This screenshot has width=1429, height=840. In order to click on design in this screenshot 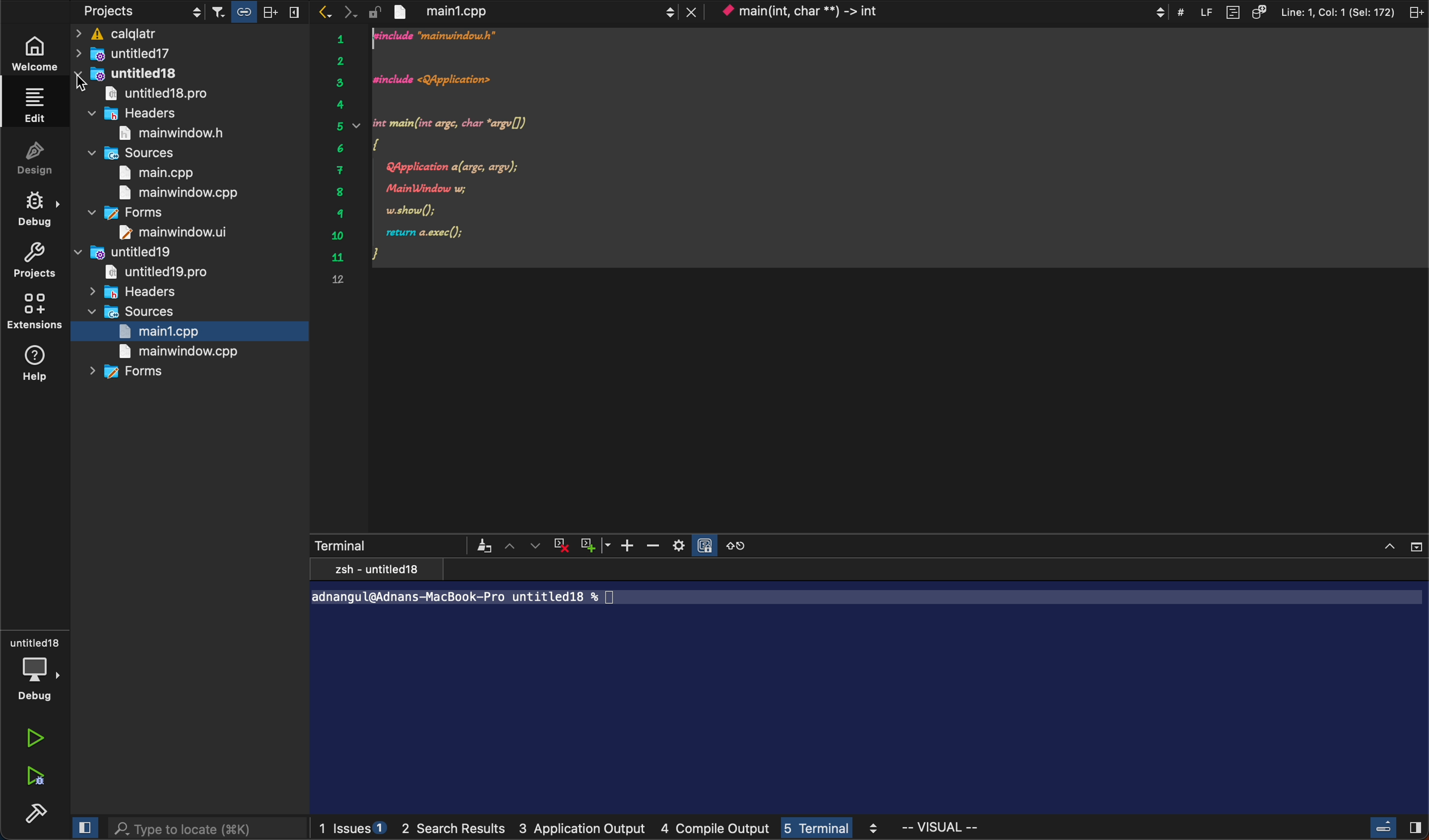, I will do `click(37, 162)`.